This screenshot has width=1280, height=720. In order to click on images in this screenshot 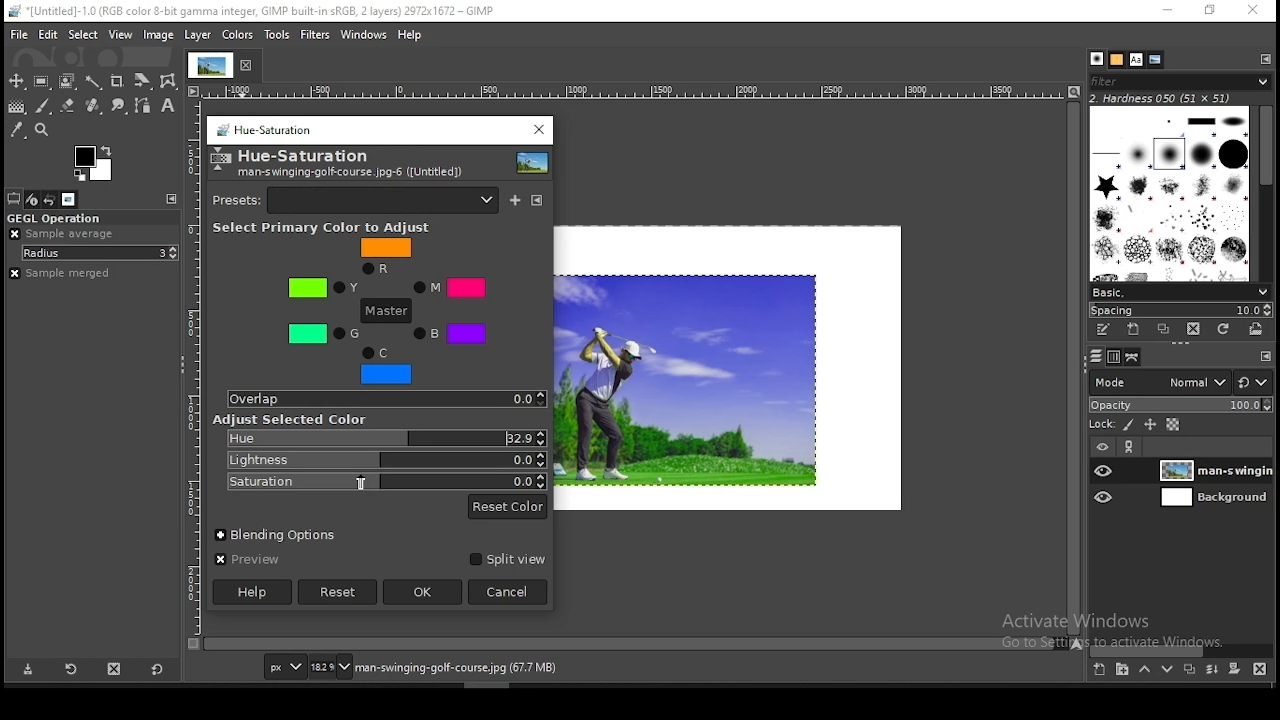, I will do `click(68, 200)`.